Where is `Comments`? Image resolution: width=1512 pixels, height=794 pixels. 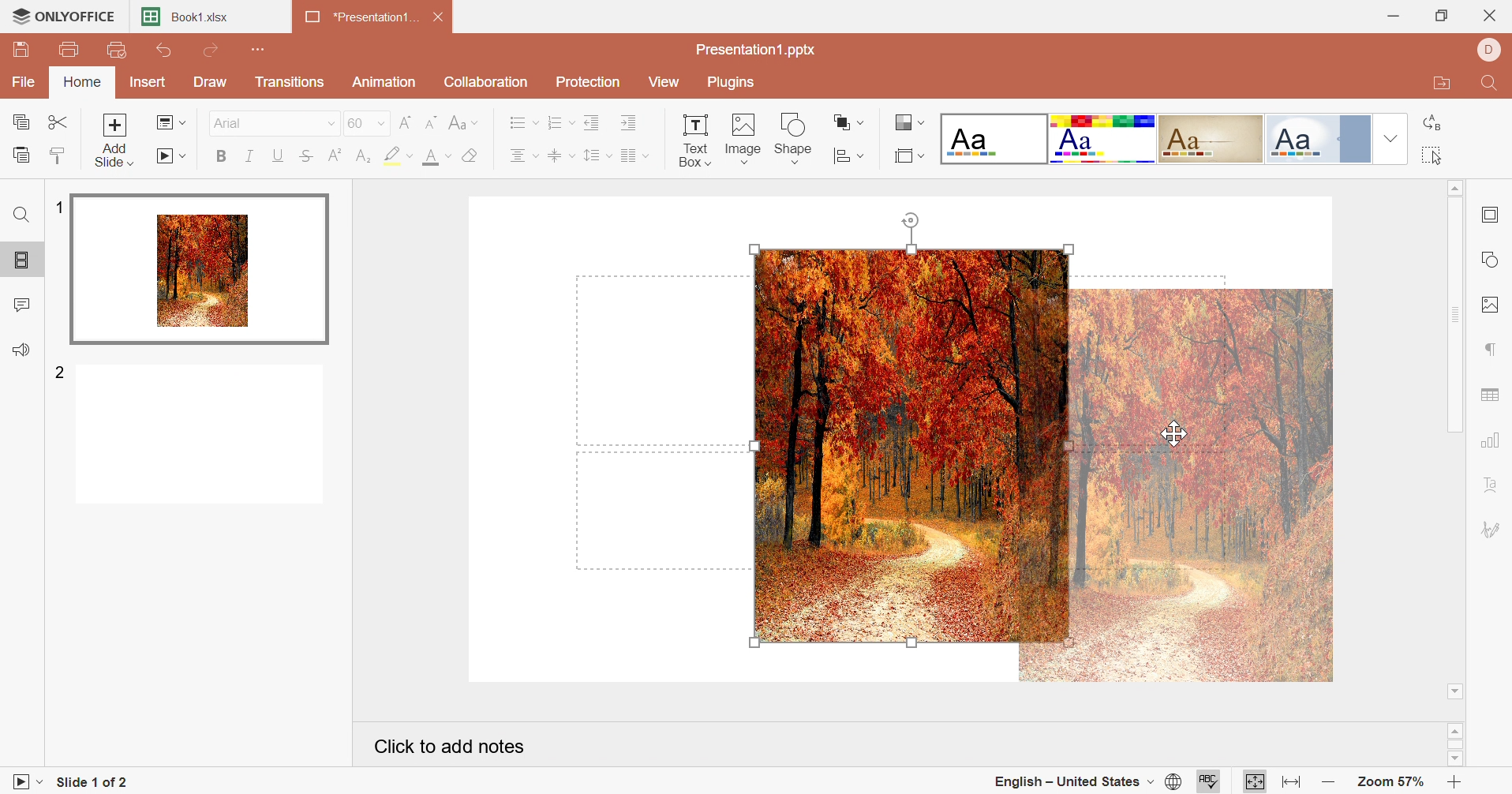
Comments is located at coordinates (20, 307).